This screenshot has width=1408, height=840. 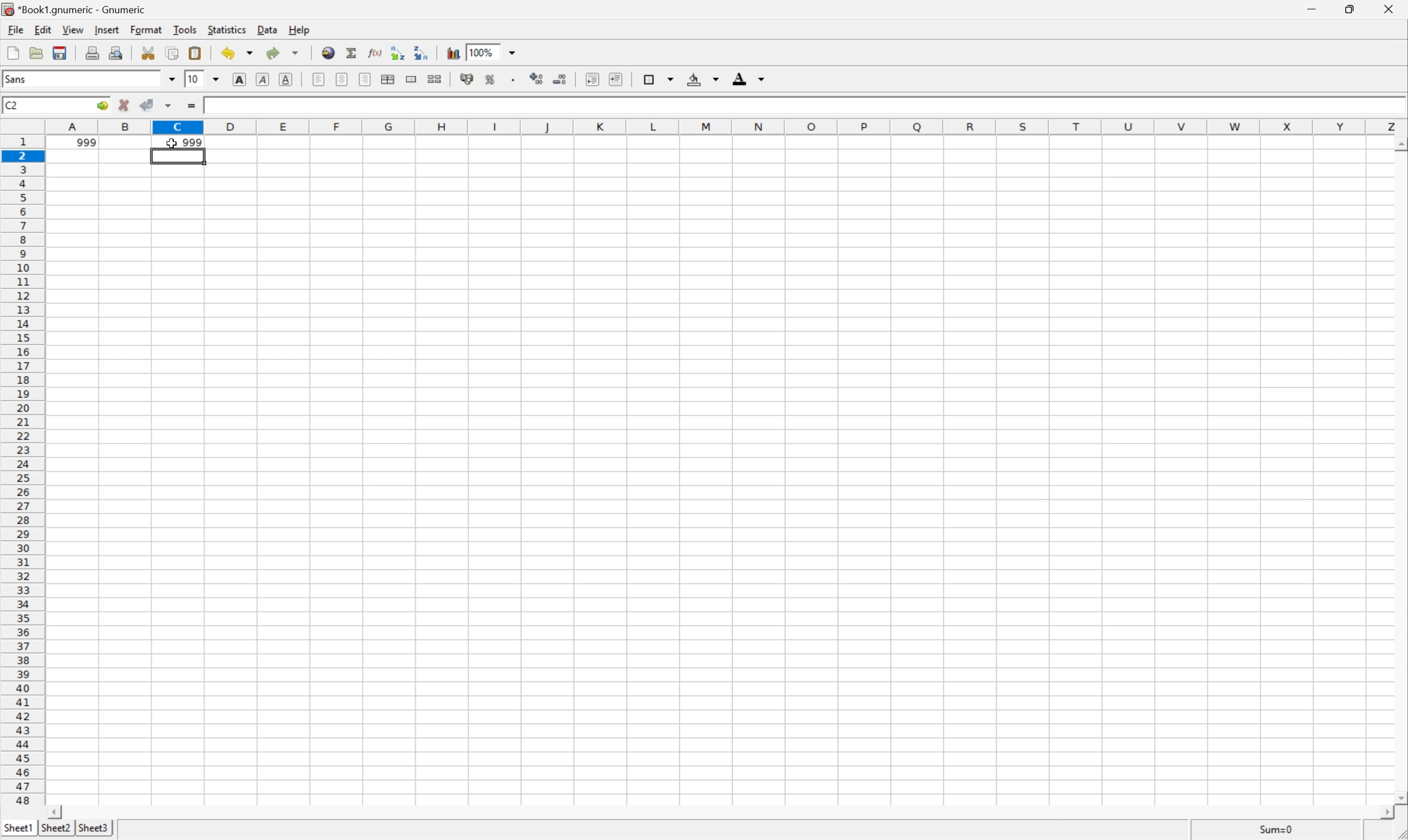 I want to click on scroll up, so click(x=1399, y=144).